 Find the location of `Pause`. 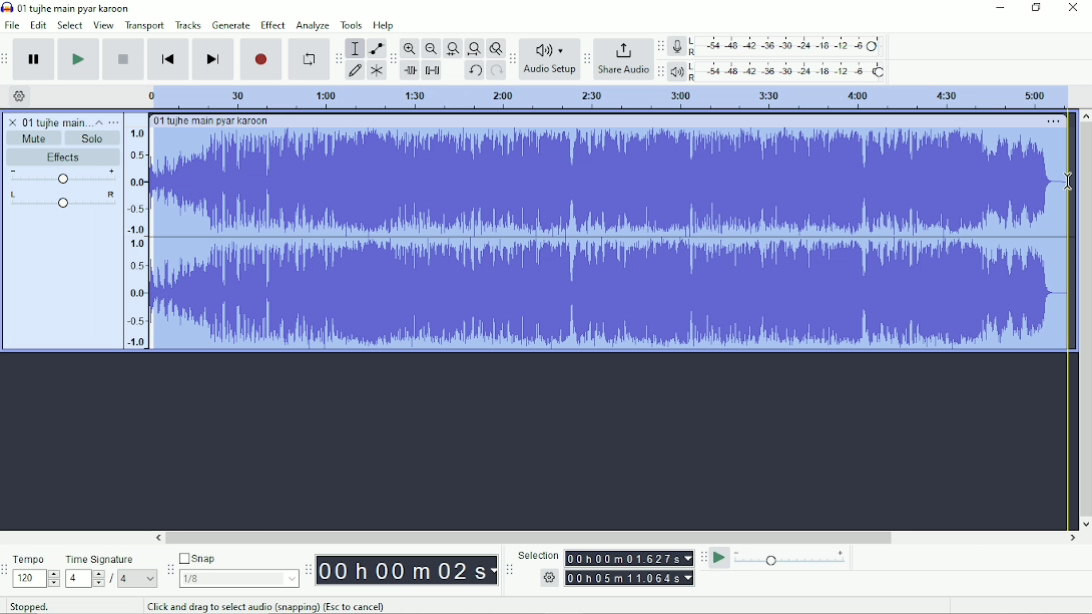

Pause is located at coordinates (36, 59).